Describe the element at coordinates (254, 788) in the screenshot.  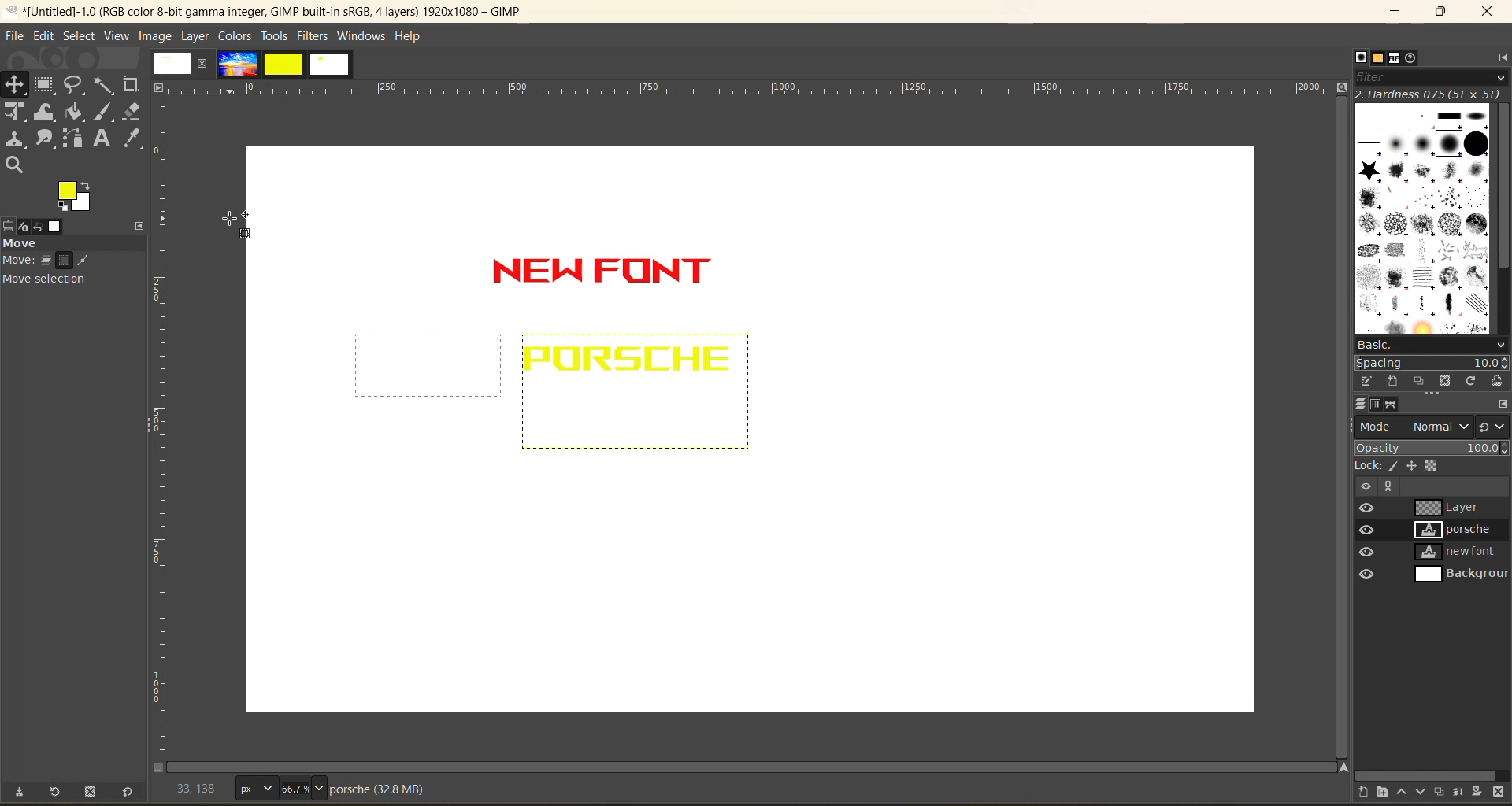
I see `px` at that location.